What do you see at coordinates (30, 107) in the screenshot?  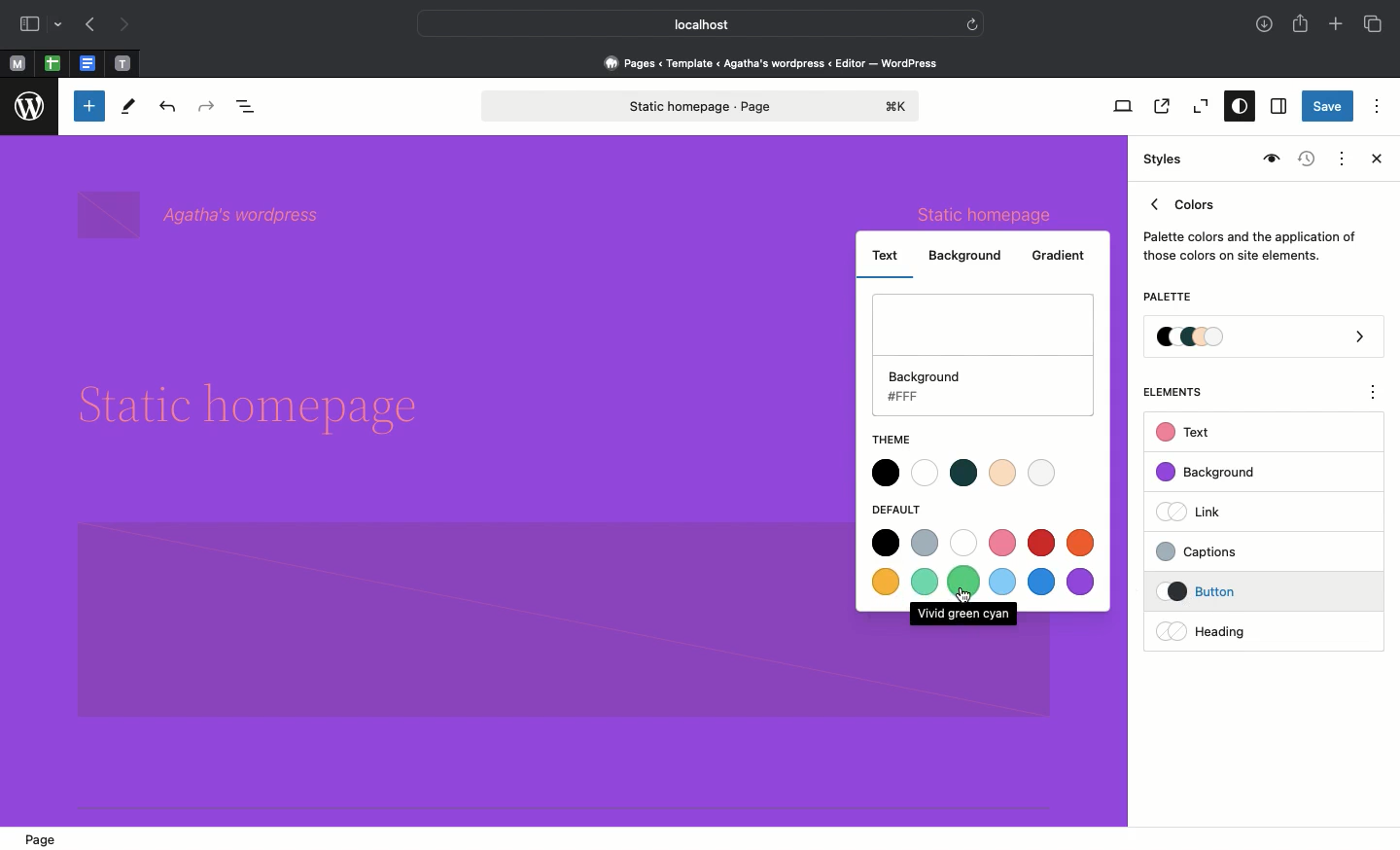 I see `wordpress` at bounding box center [30, 107].